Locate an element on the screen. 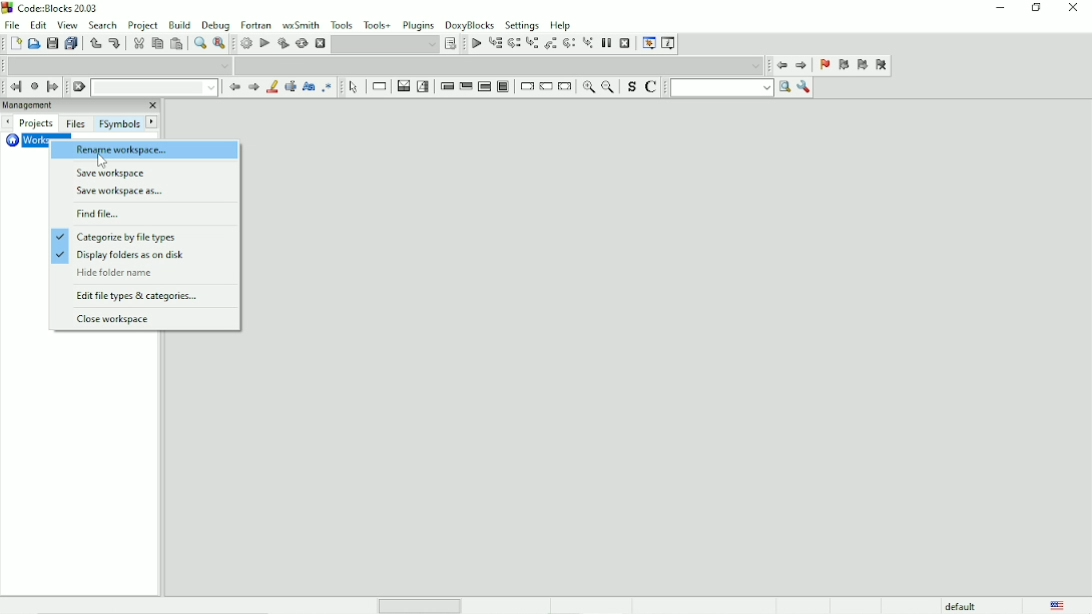 The width and height of the screenshot is (1092, 614). Drop down is located at coordinates (501, 65).